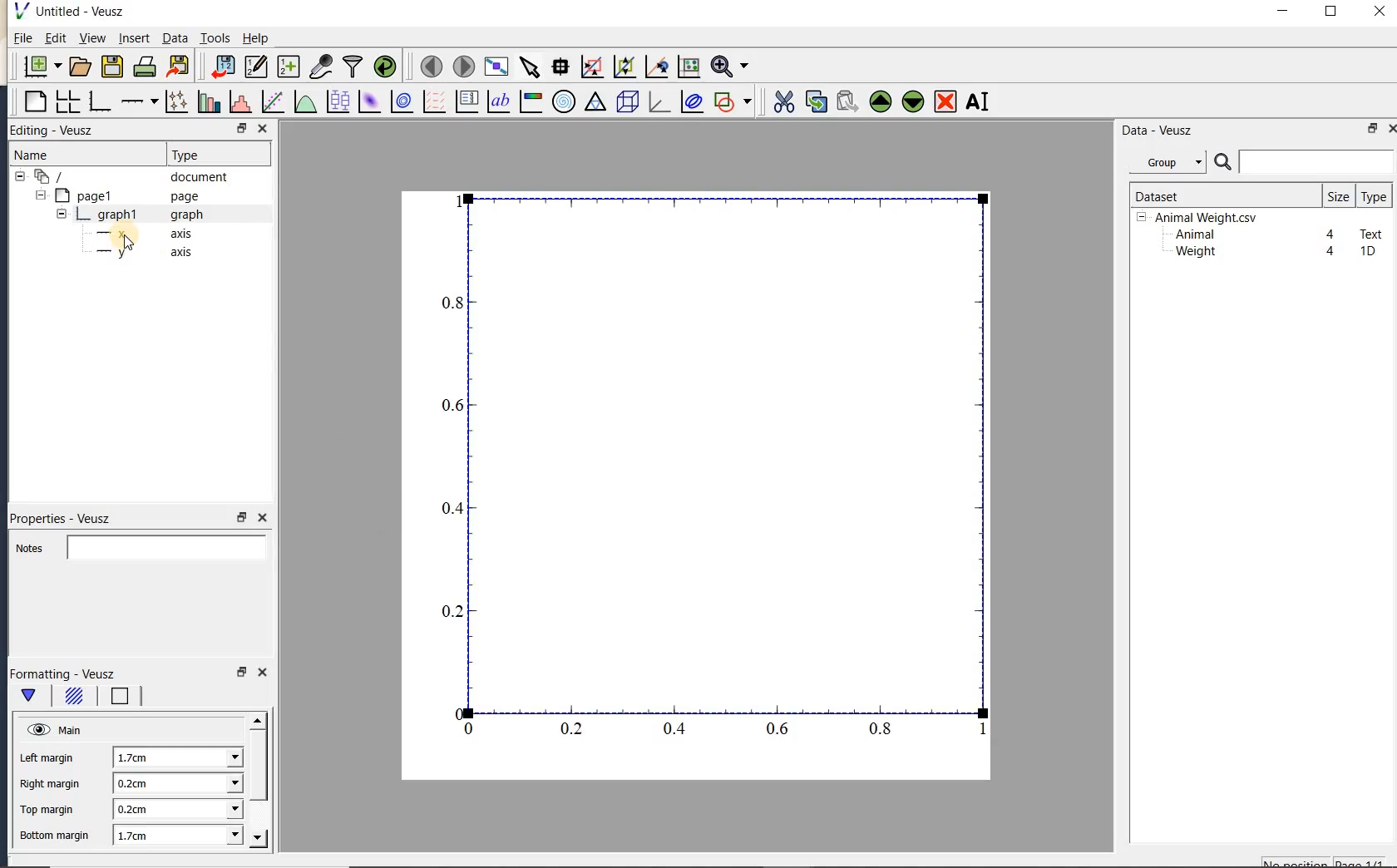 The image size is (1397, 868). What do you see at coordinates (135, 548) in the screenshot?
I see `Notes` at bounding box center [135, 548].